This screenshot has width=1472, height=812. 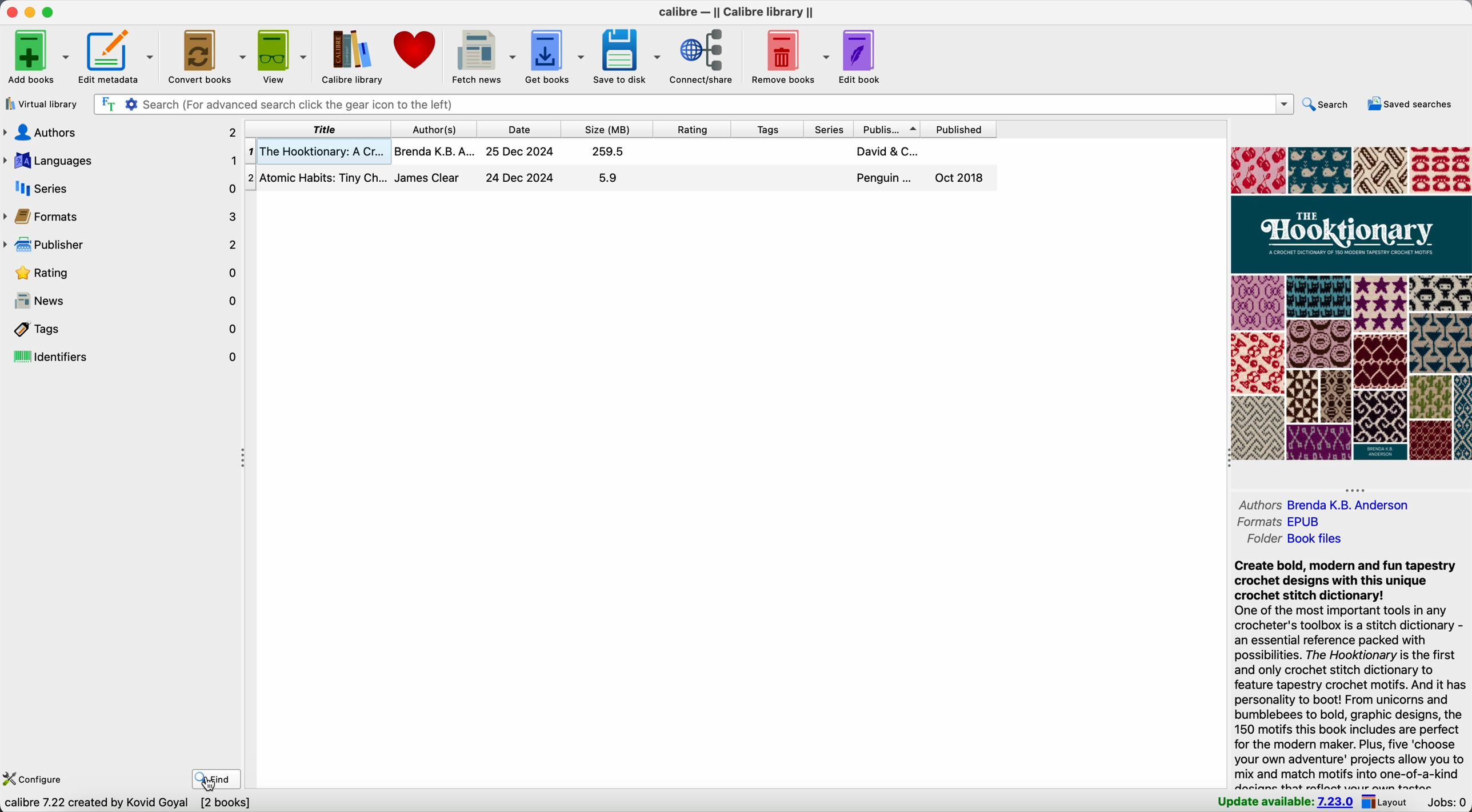 What do you see at coordinates (434, 129) in the screenshot?
I see `author(s)` at bounding box center [434, 129].